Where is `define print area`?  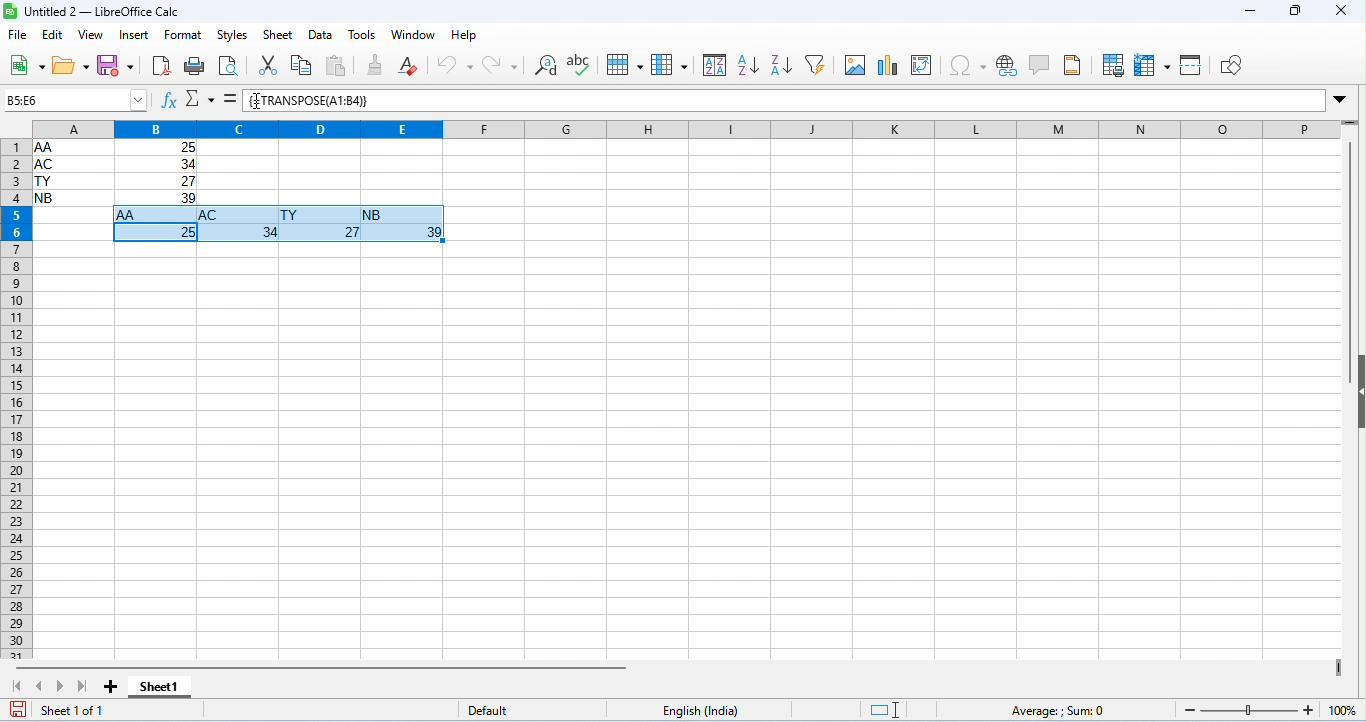
define print area is located at coordinates (1115, 64).